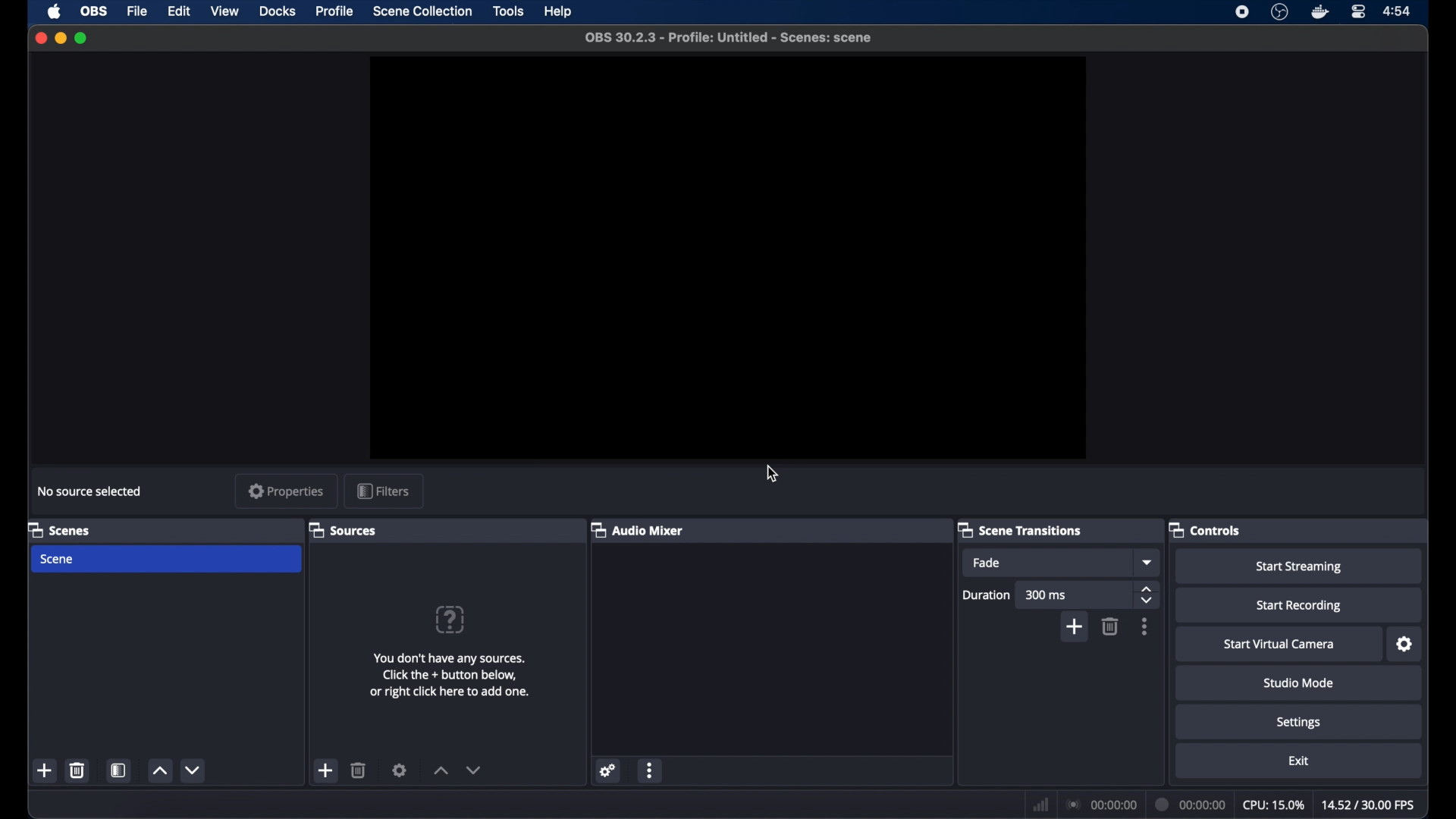 The width and height of the screenshot is (1456, 819). Describe the element at coordinates (1299, 764) in the screenshot. I see `exit` at that location.